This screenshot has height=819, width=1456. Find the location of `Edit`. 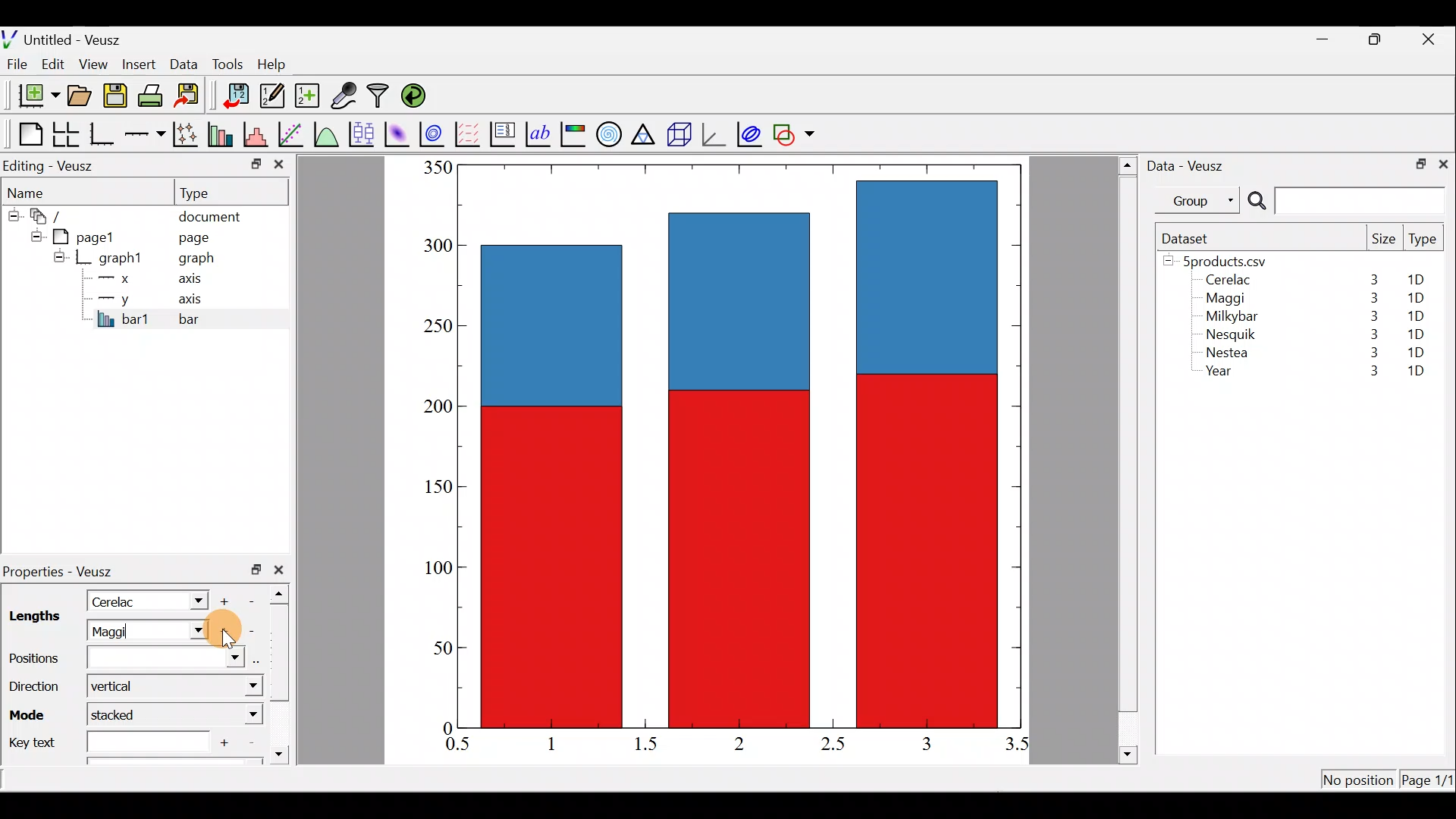

Edit is located at coordinates (53, 63).